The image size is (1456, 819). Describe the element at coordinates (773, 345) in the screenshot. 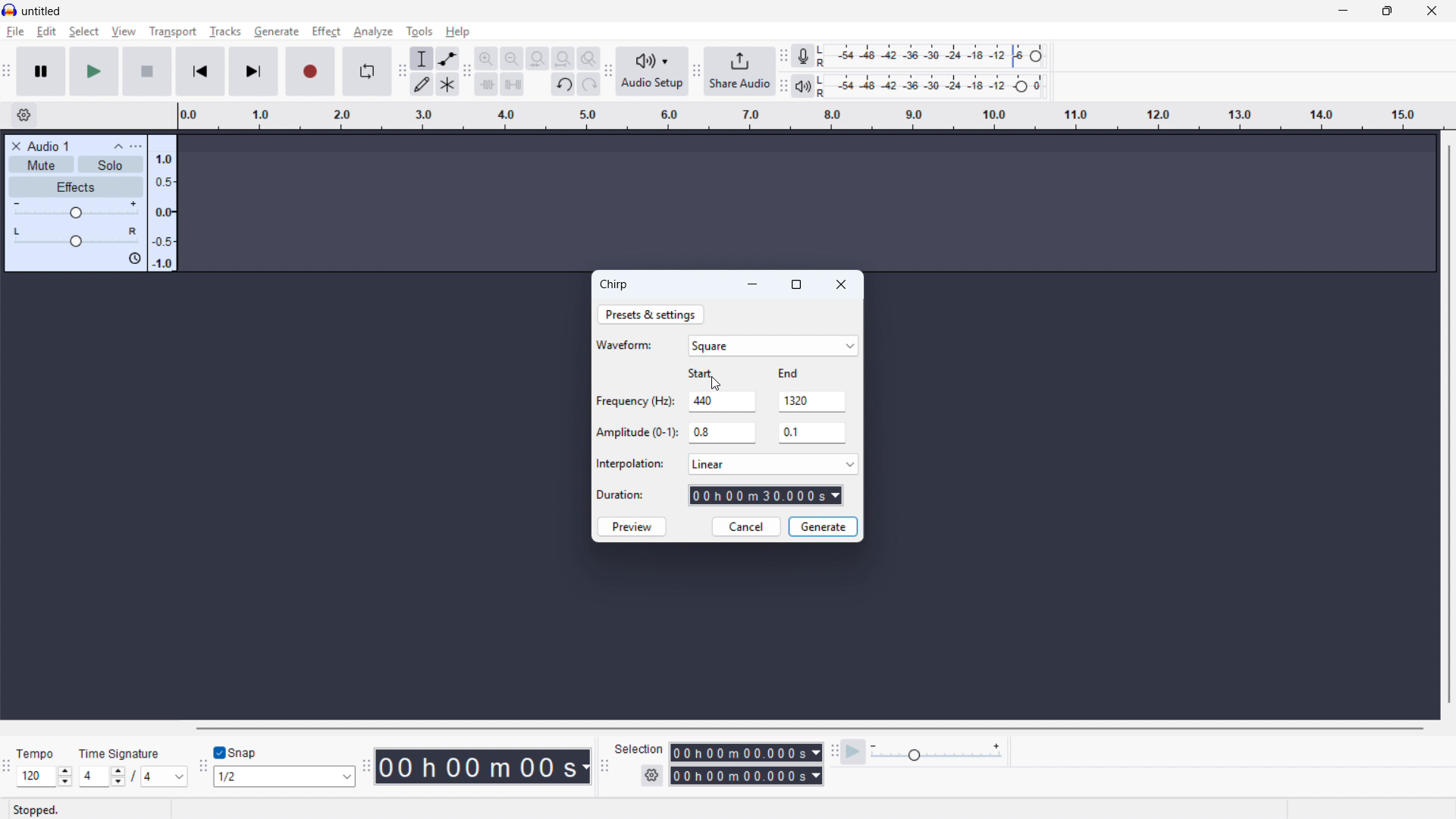

I see `Square waveform selected` at that location.